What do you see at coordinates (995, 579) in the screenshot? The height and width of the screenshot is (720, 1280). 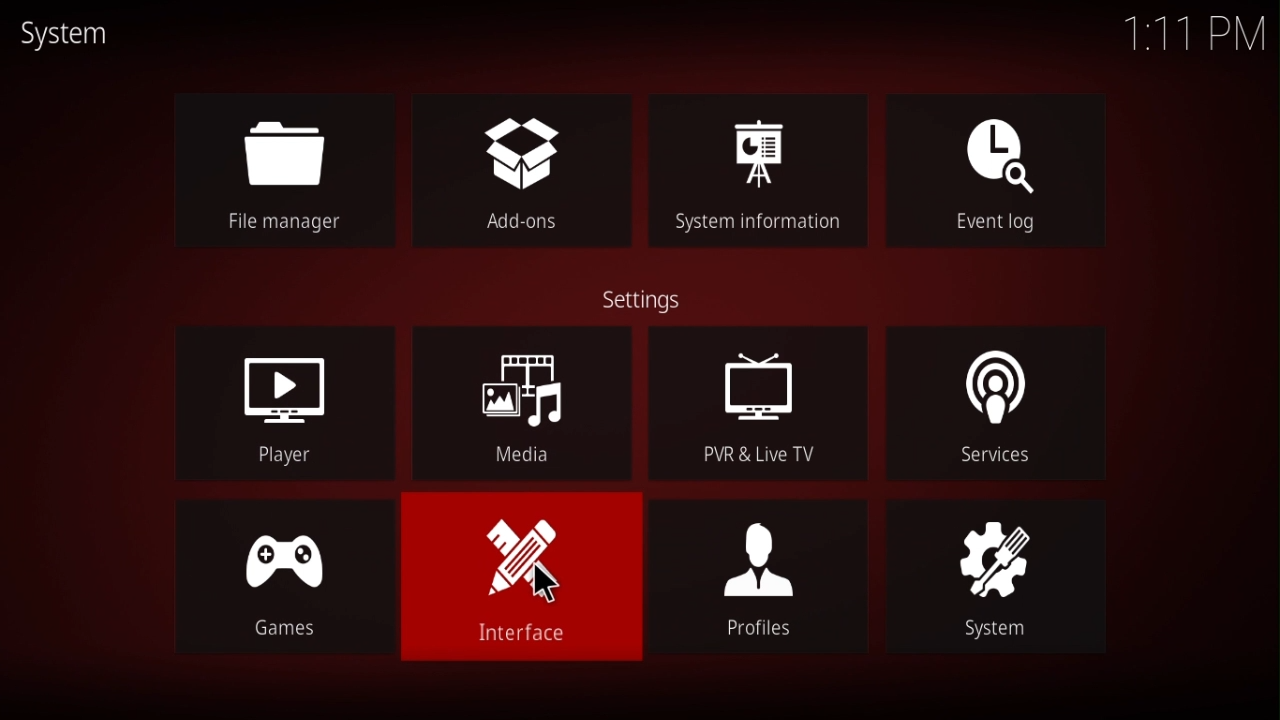 I see `system` at bounding box center [995, 579].